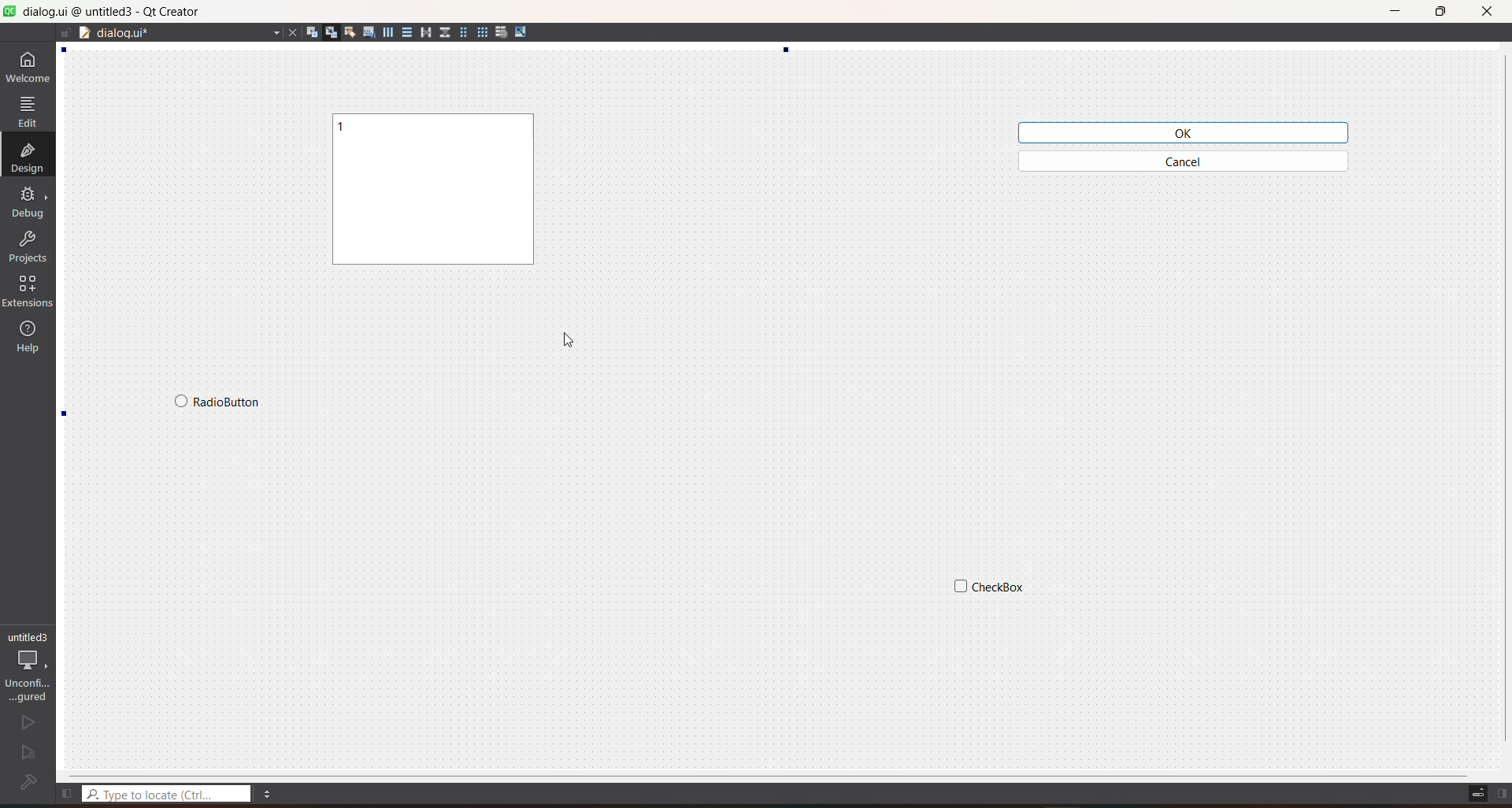 Image resolution: width=1512 pixels, height=808 pixels. Describe the element at coordinates (524, 31) in the screenshot. I see `adjust size` at that location.